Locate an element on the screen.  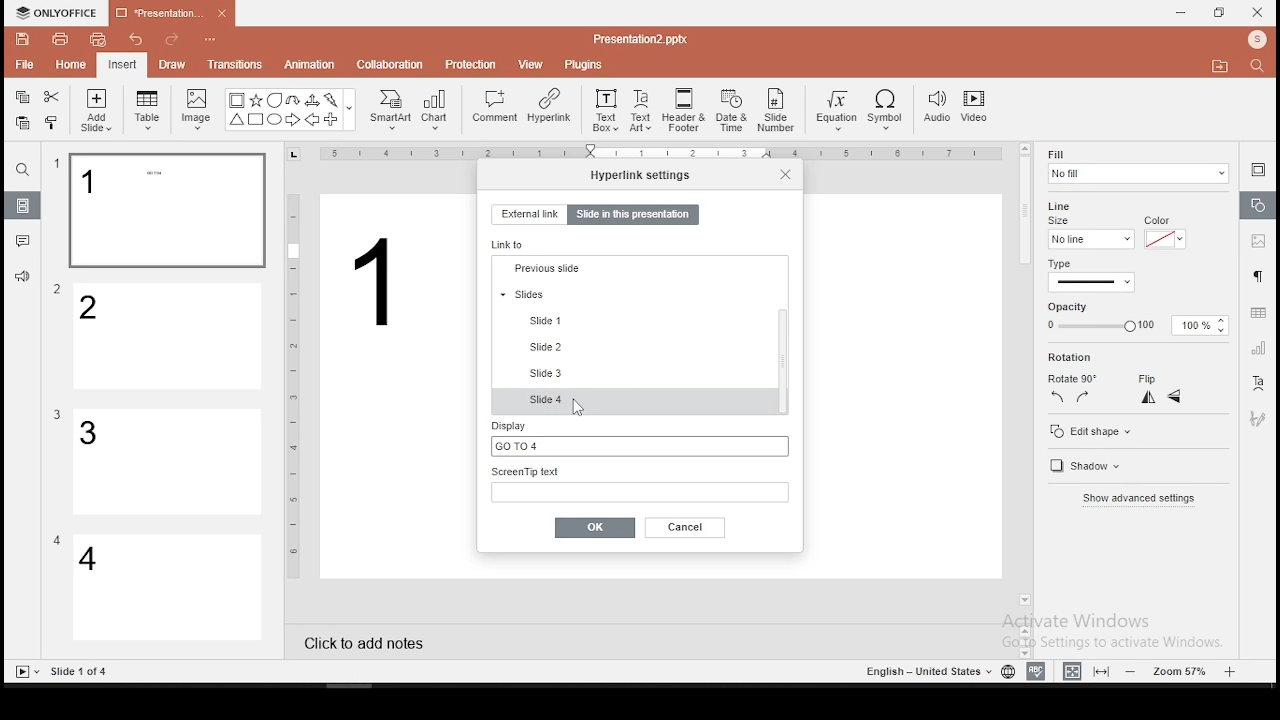
click to add notes is located at coordinates (370, 641).